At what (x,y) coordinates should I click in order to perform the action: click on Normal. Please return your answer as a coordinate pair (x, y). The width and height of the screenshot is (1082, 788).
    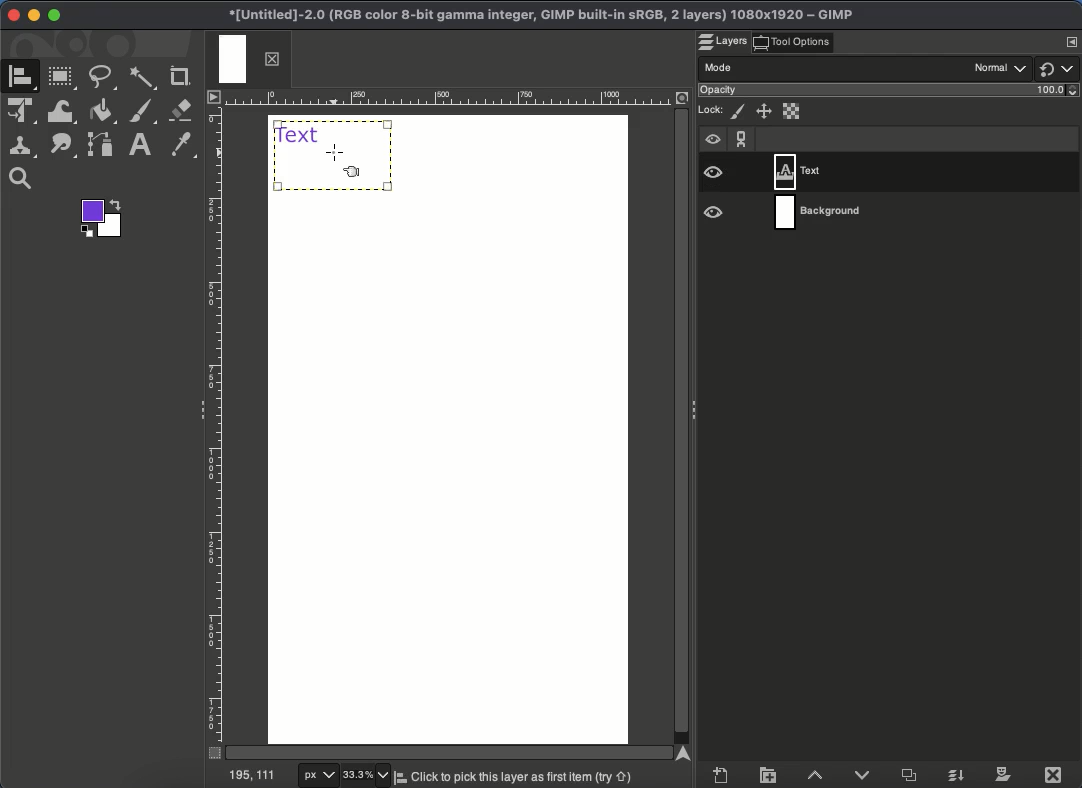
    Looking at the image, I should click on (1001, 67).